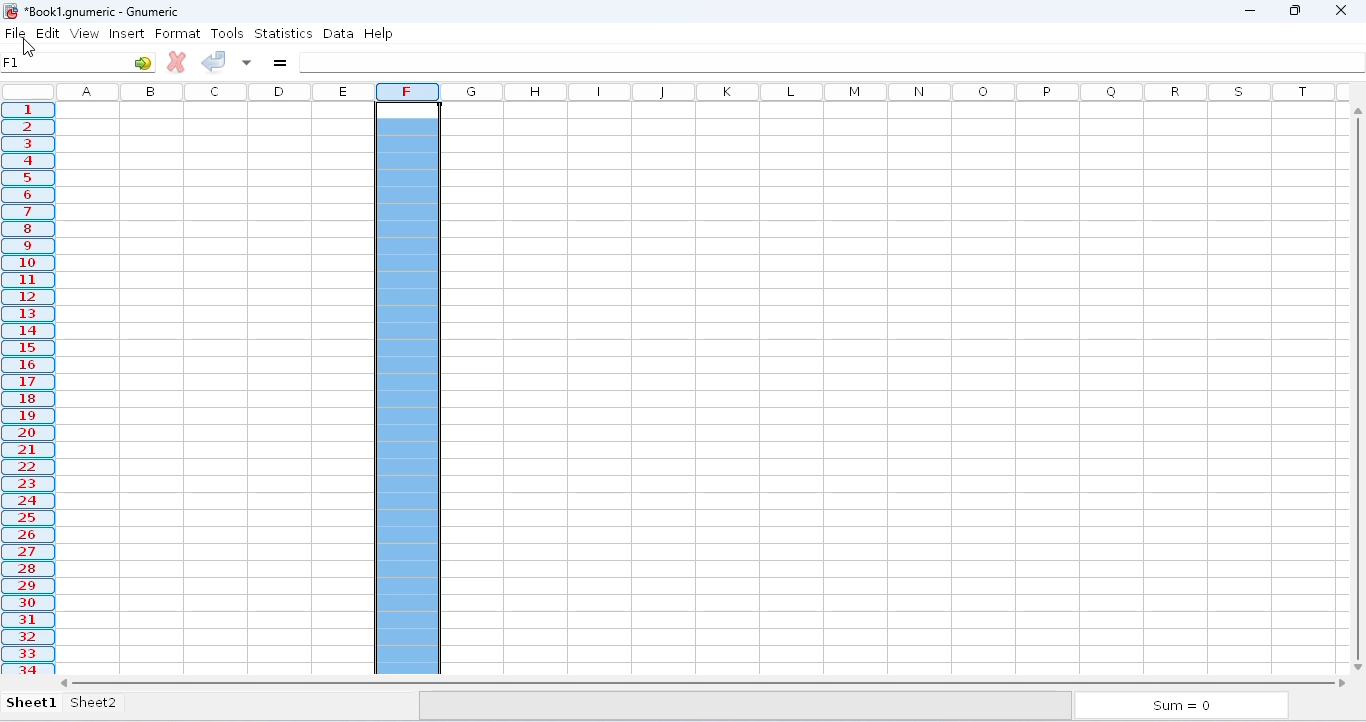 The width and height of the screenshot is (1366, 722). Describe the element at coordinates (1184, 705) in the screenshot. I see `sum = 0` at that location.